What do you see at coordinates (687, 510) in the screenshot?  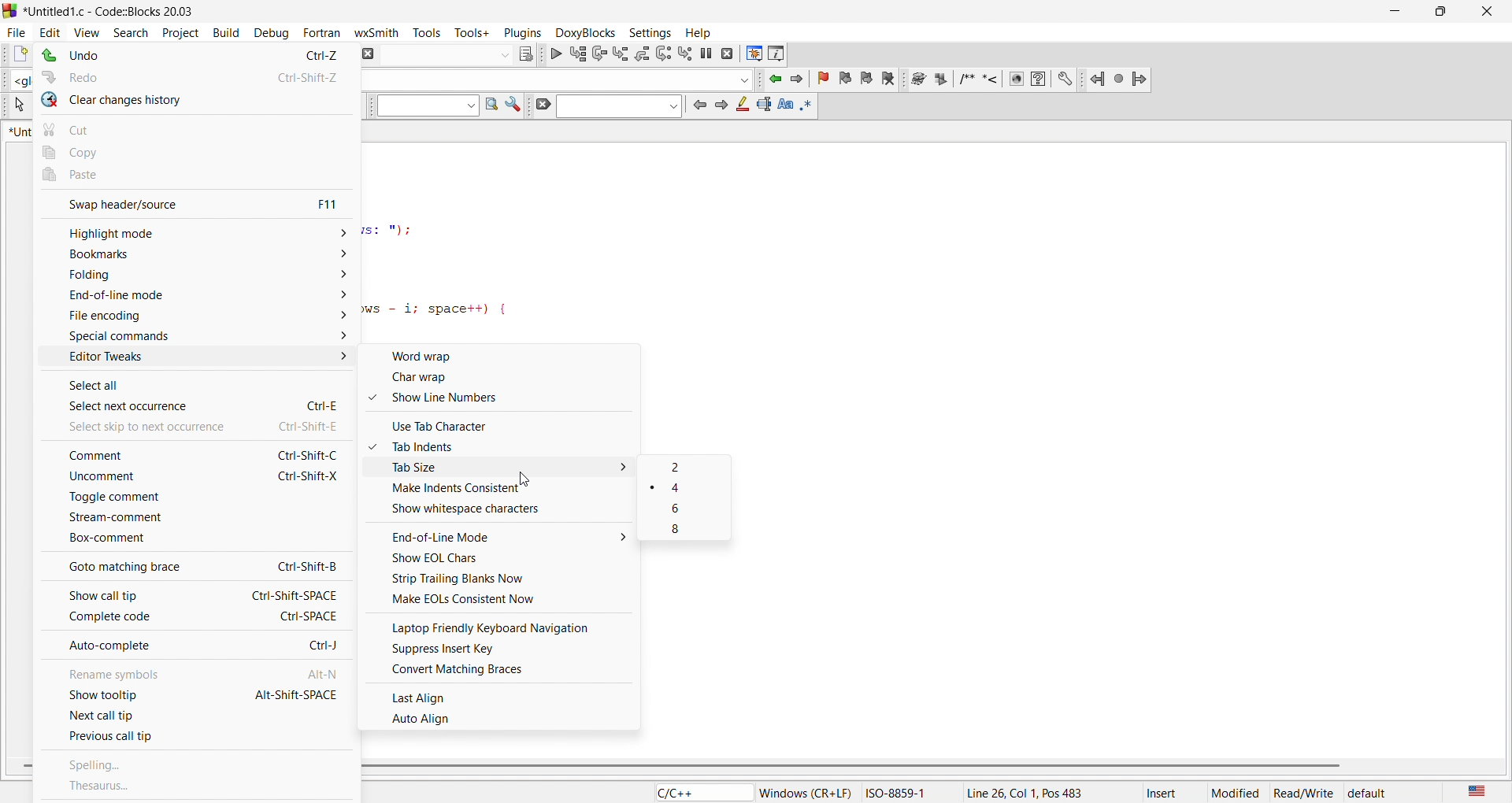 I see `6 space` at bounding box center [687, 510].